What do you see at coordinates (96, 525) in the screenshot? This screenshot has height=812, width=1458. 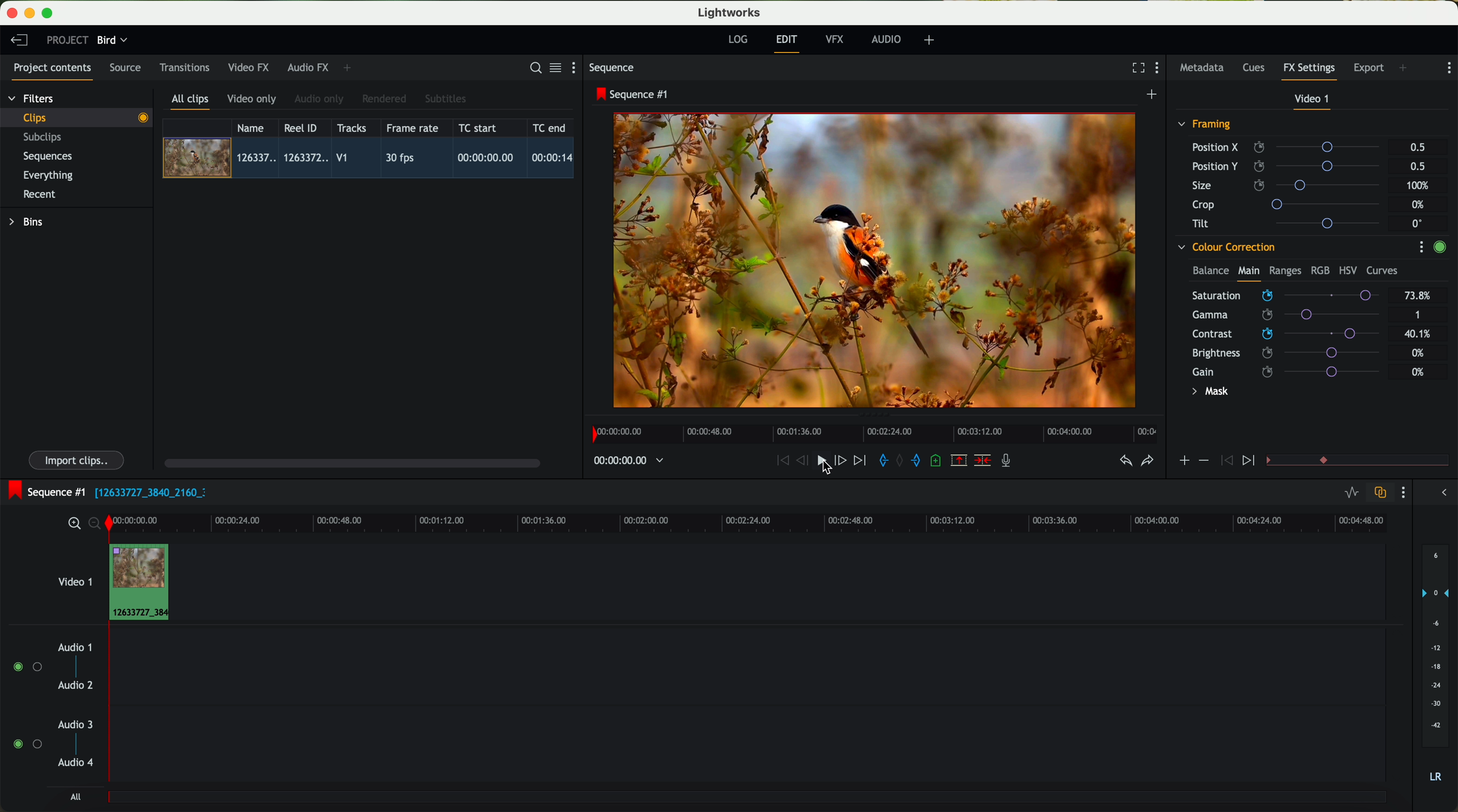 I see `zoom out` at bounding box center [96, 525].